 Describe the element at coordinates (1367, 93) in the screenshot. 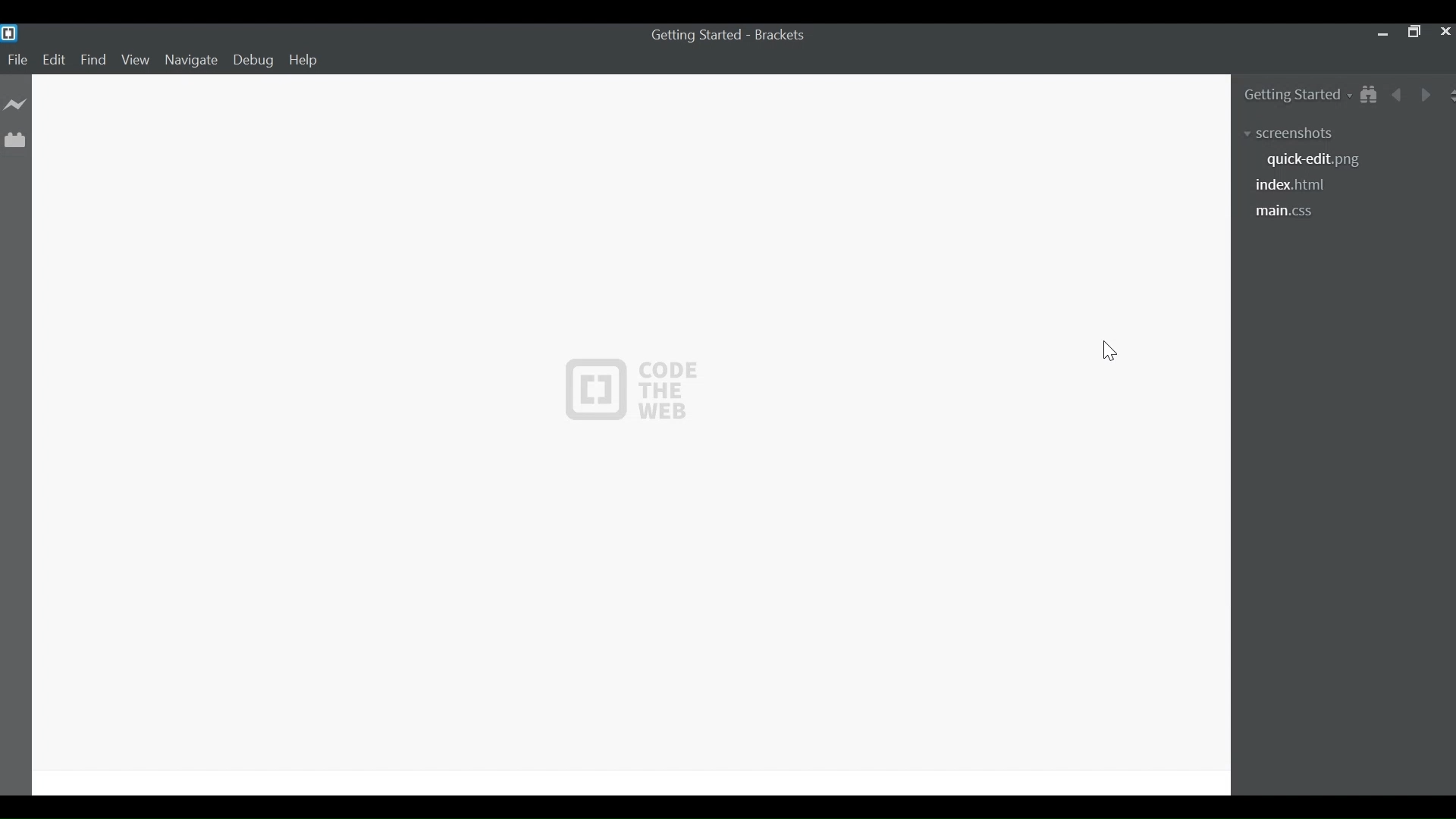

I see `Show in File tree` at that location.